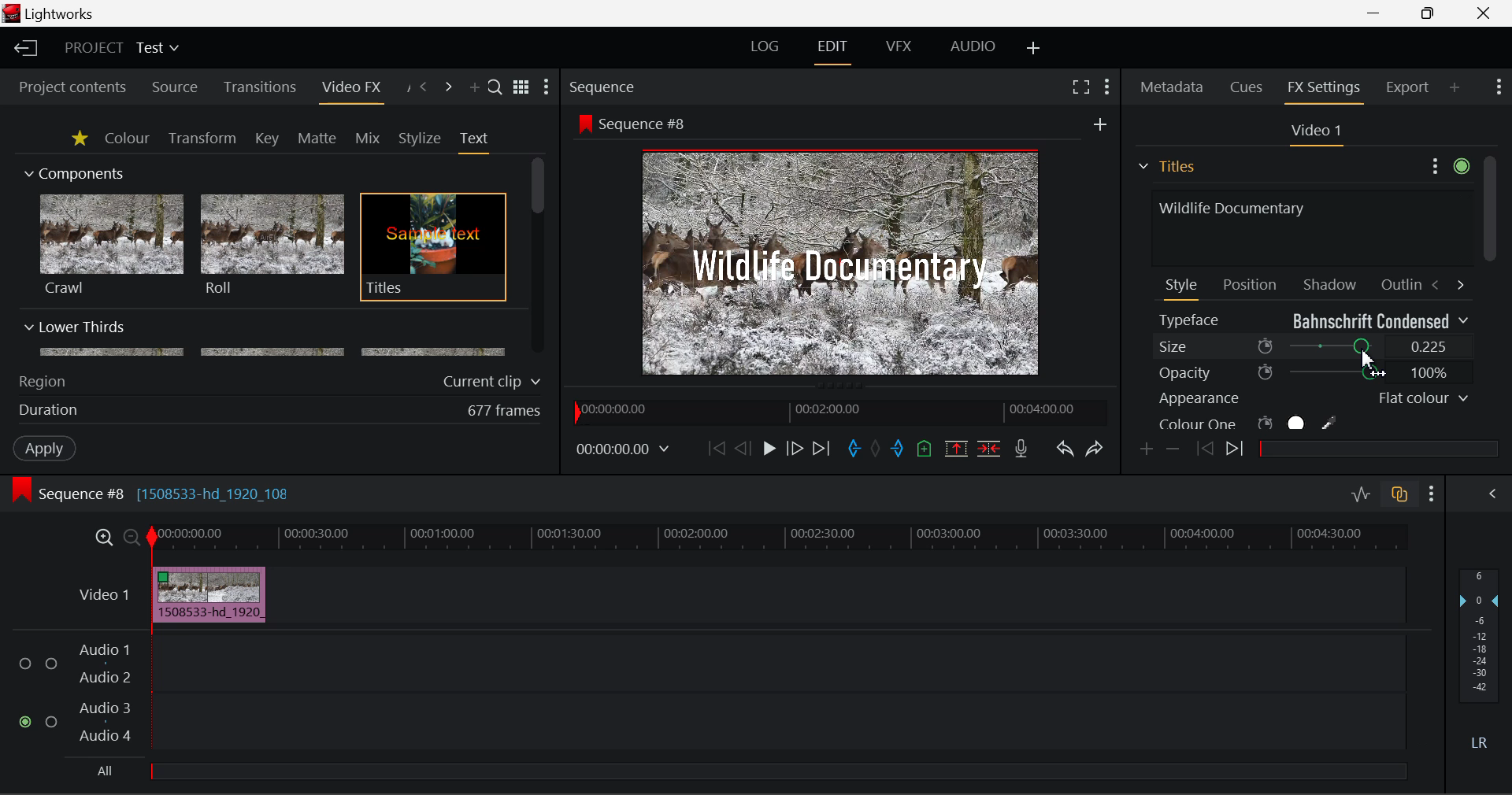 The height and width of the screenshot is (795, 1512). Describe the element at coordinates (603, 84) in the screenshot. I see `Sequence` at that location.